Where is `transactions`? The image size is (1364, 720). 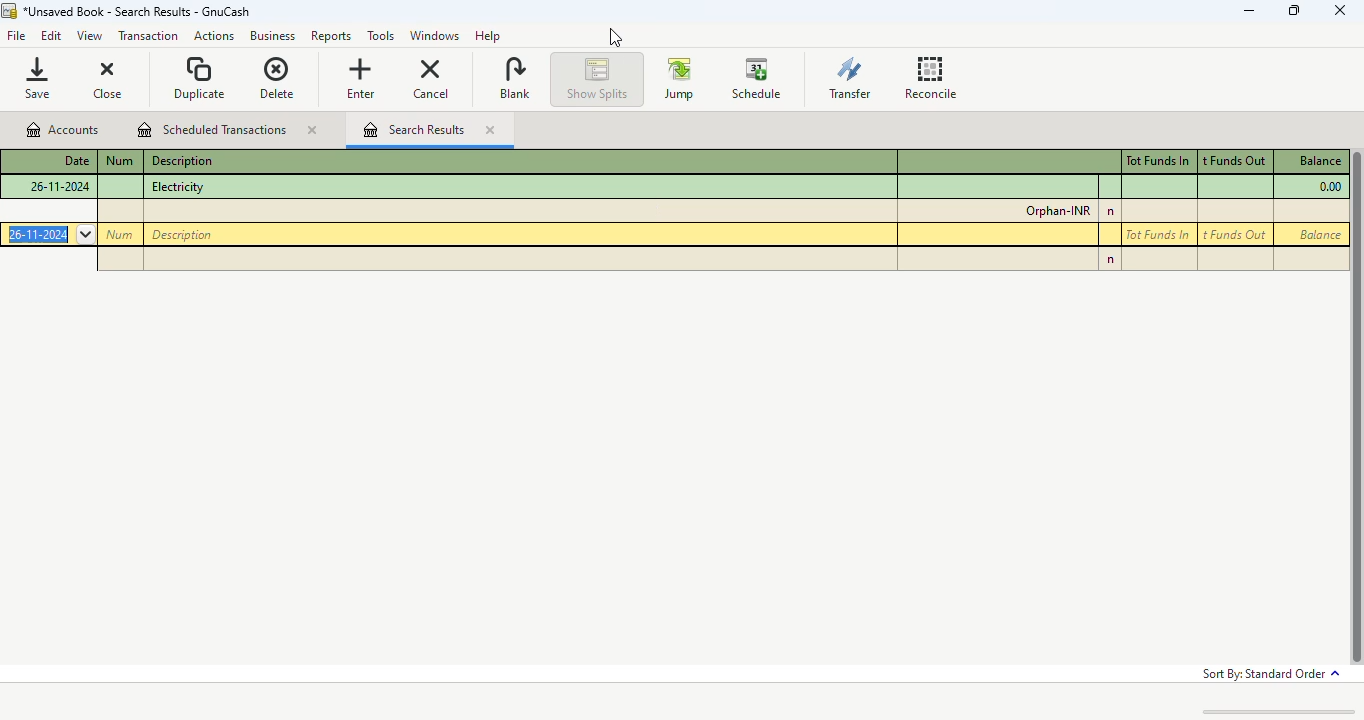 transactions is located at coordinates (149, 36).